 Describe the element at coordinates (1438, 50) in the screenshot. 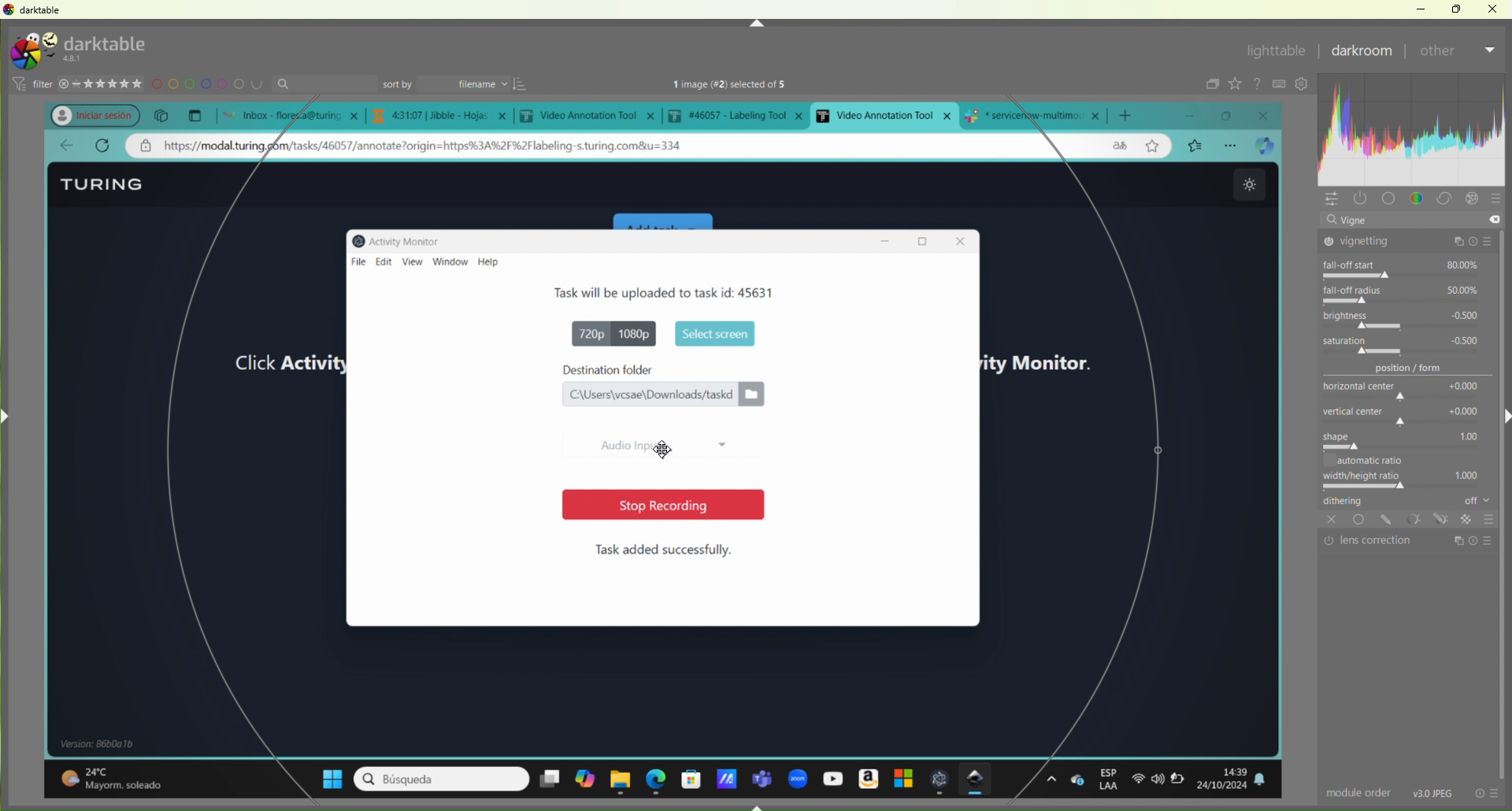

I see `After` at that location.